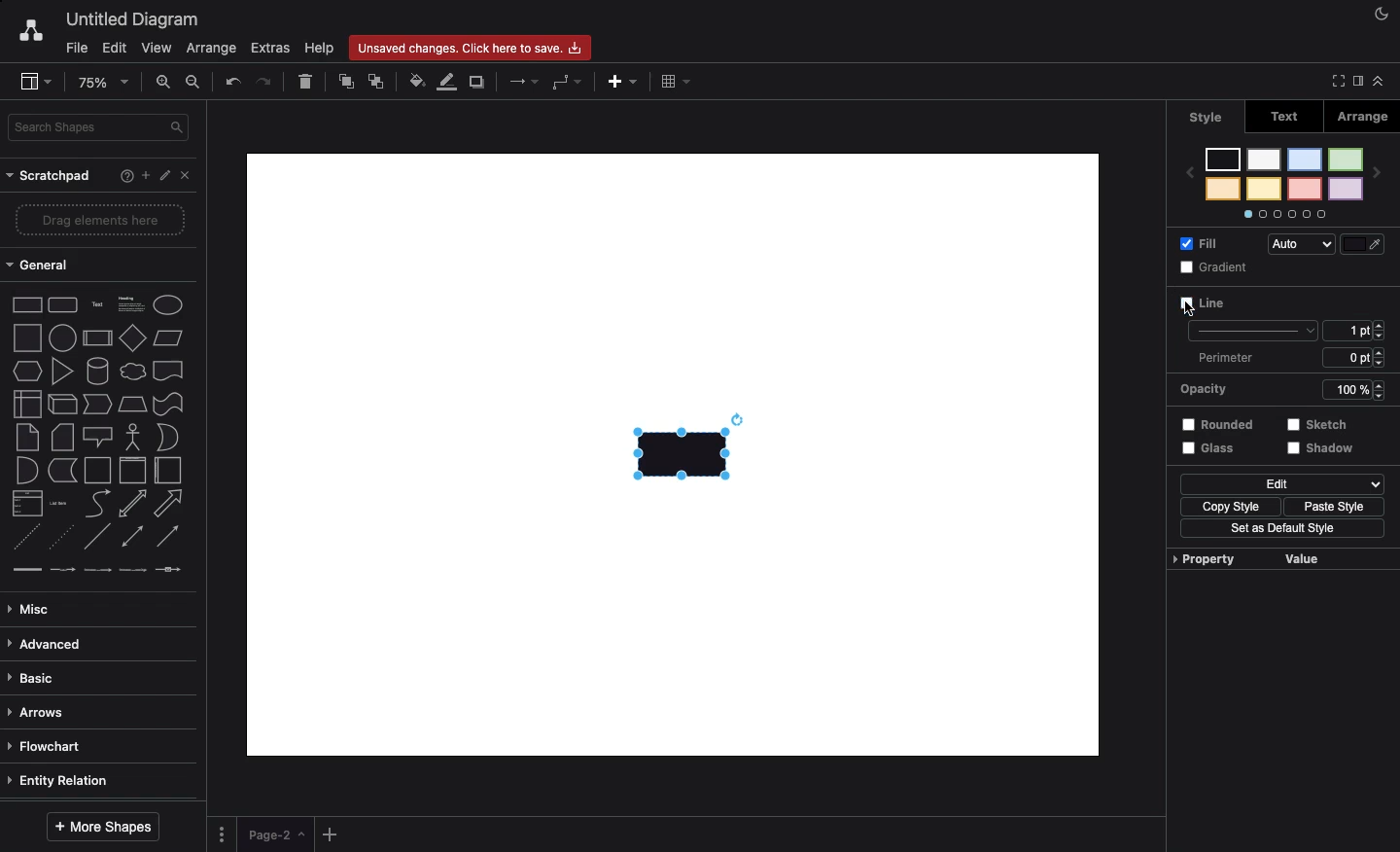  I want to click on Duplicate, so click(477, 83).